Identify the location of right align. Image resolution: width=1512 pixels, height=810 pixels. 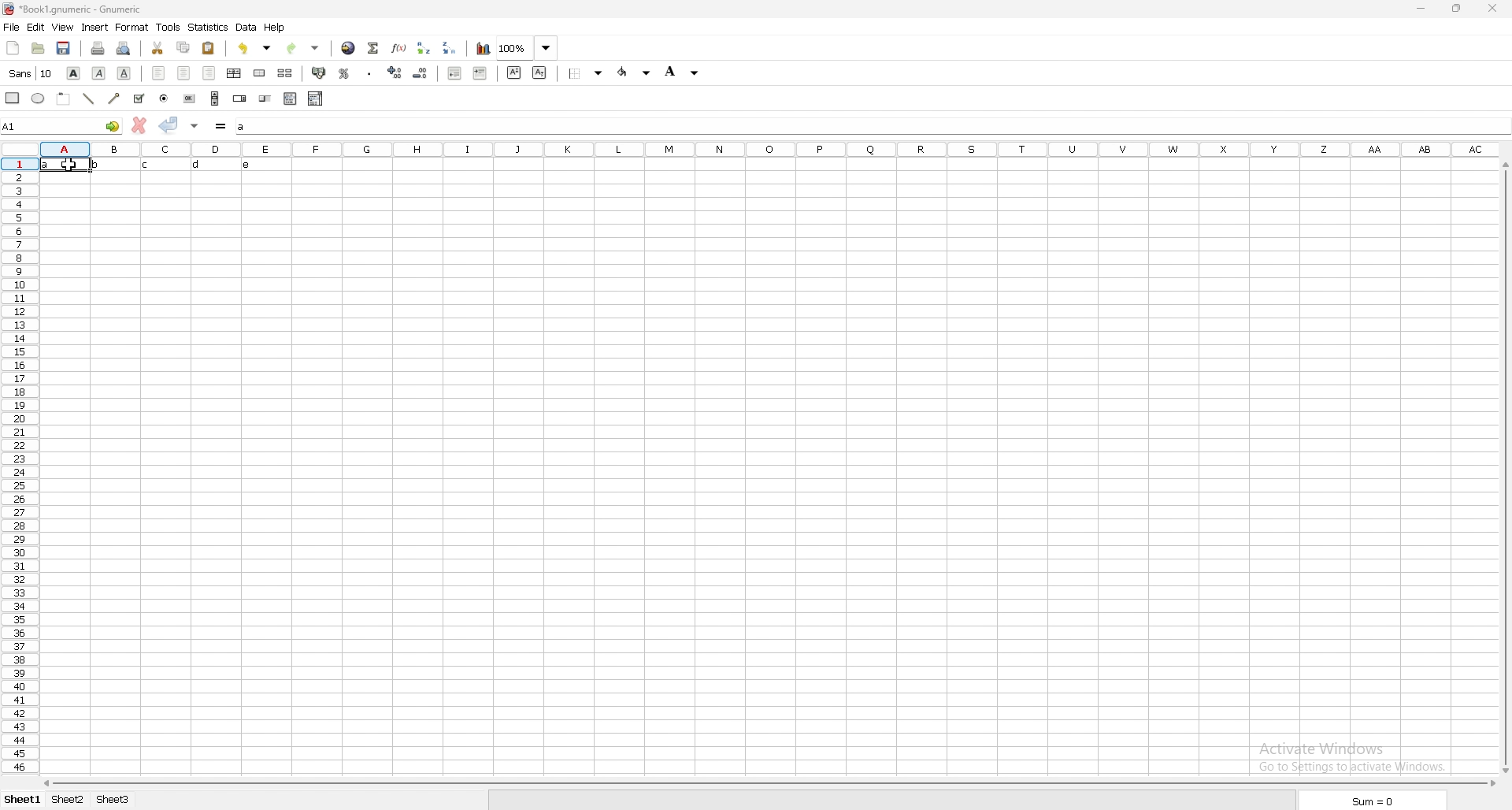
(209, 73).